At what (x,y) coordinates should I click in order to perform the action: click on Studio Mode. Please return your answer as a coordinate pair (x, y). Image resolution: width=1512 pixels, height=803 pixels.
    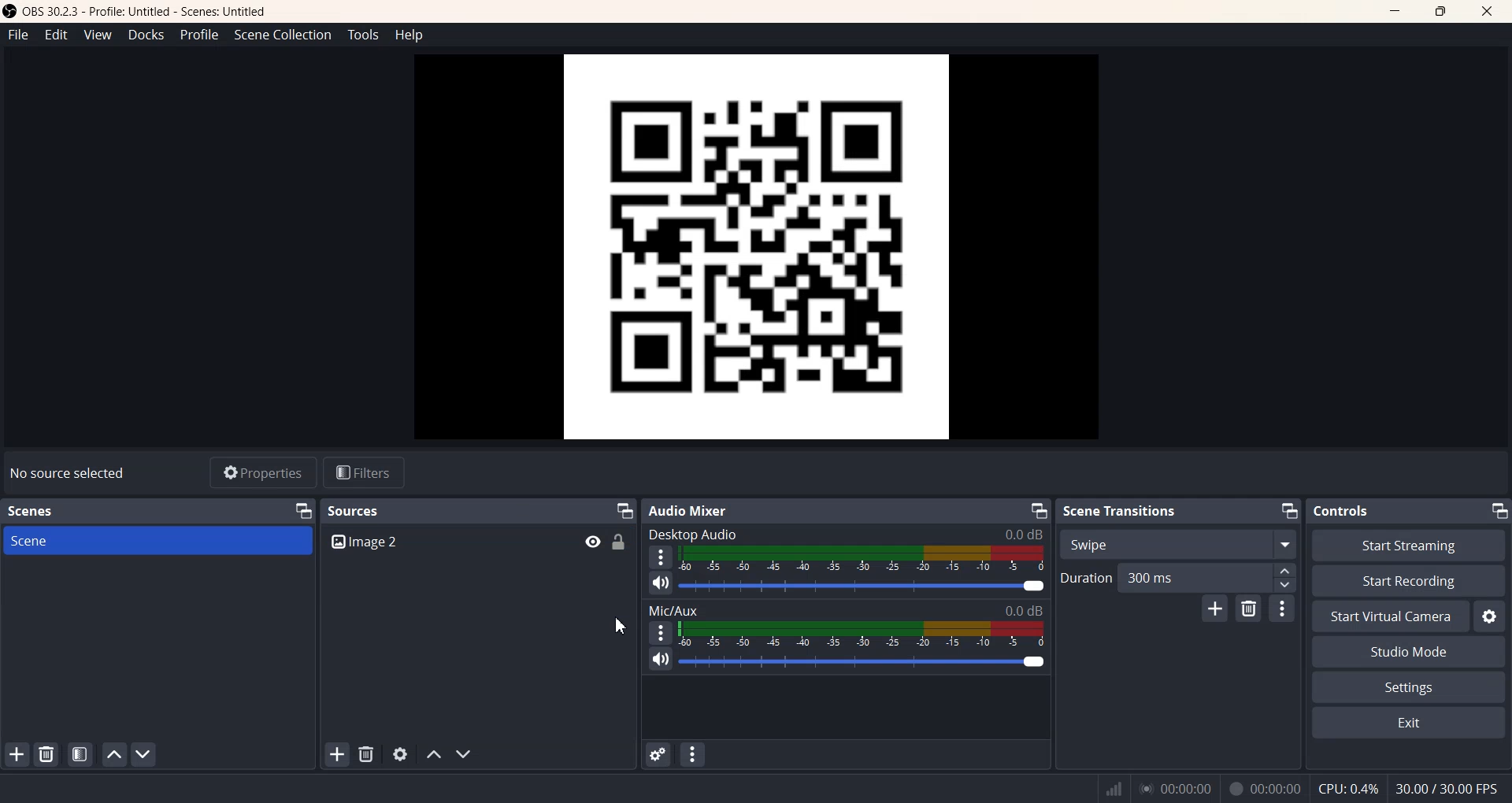
    Looking at the image, I should click on (1408, 652).